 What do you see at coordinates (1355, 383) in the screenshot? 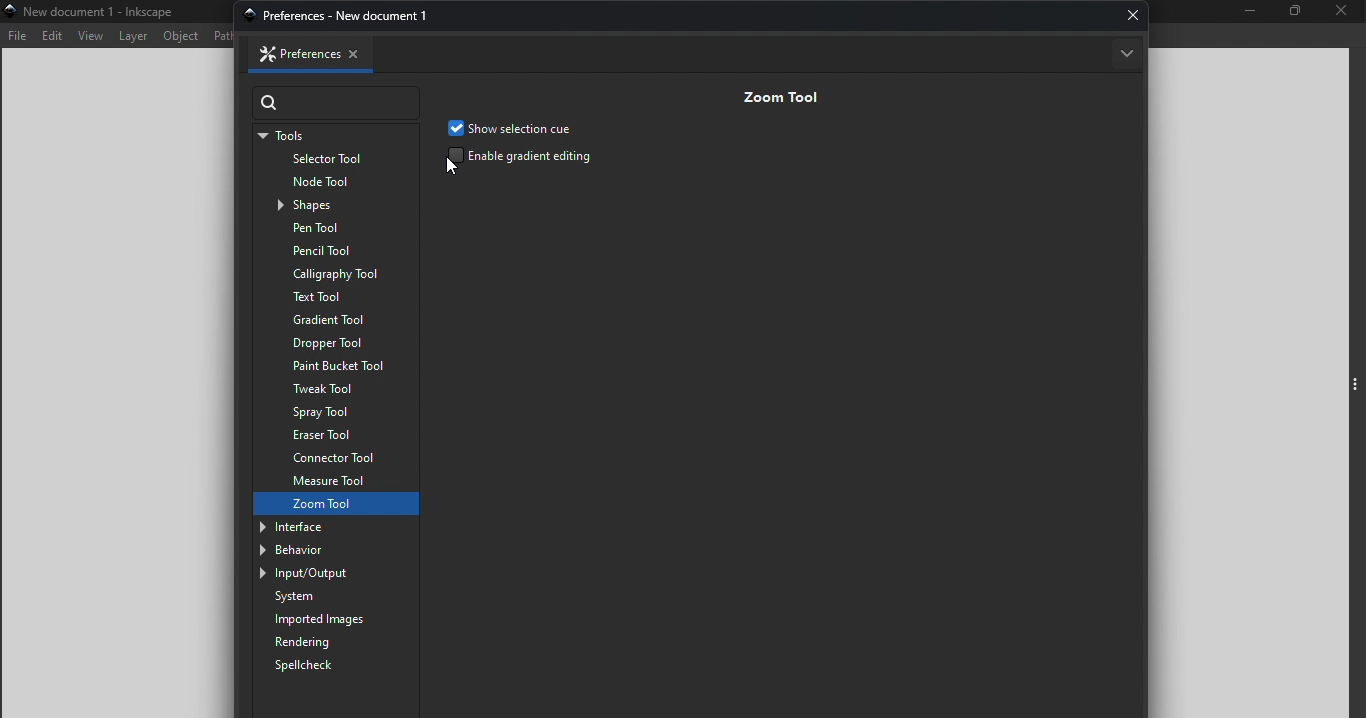
I see `Toggle command panel` at bounding box center [1355, 383].